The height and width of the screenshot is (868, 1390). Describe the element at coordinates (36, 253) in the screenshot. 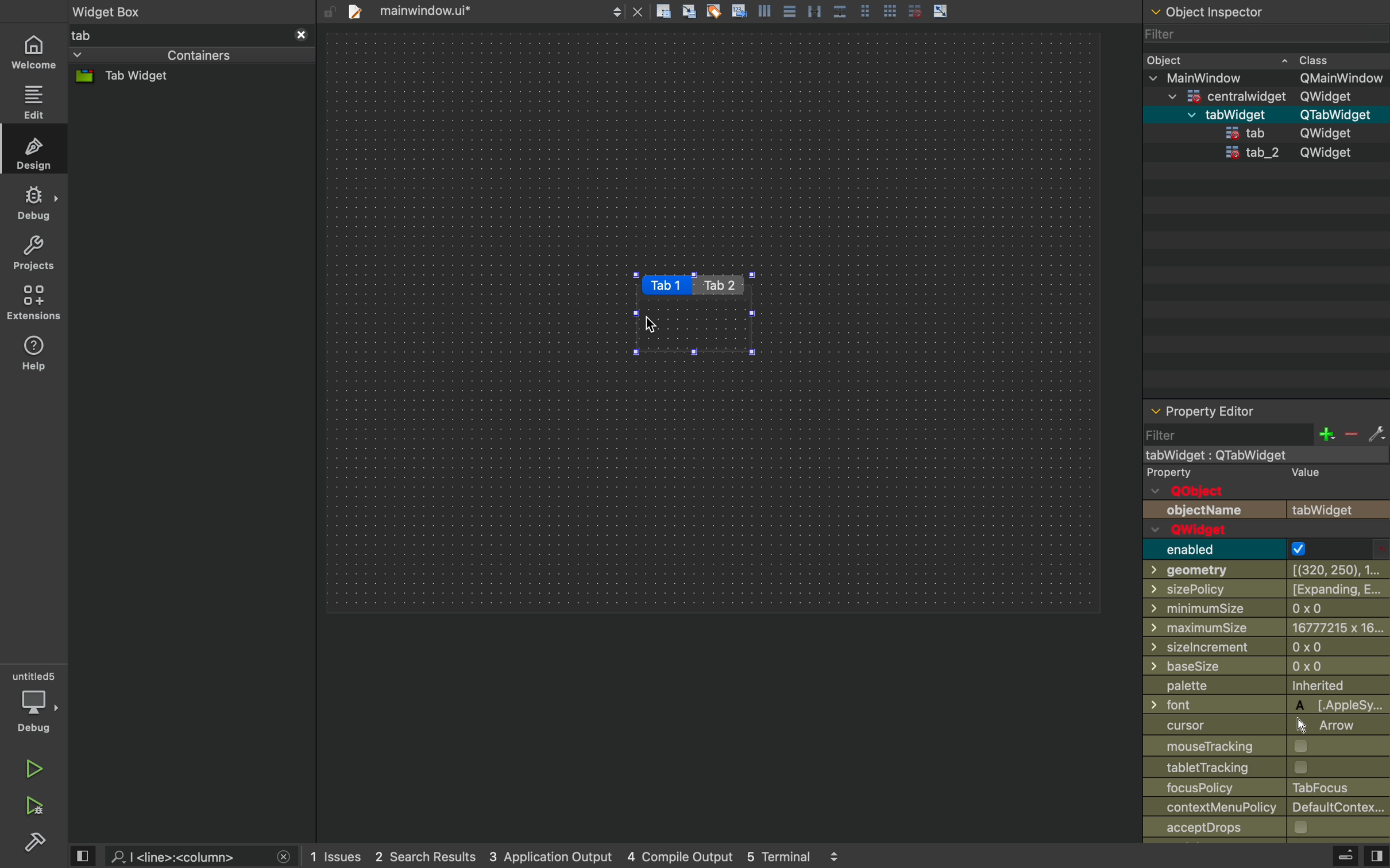

I see `projects` at that location.